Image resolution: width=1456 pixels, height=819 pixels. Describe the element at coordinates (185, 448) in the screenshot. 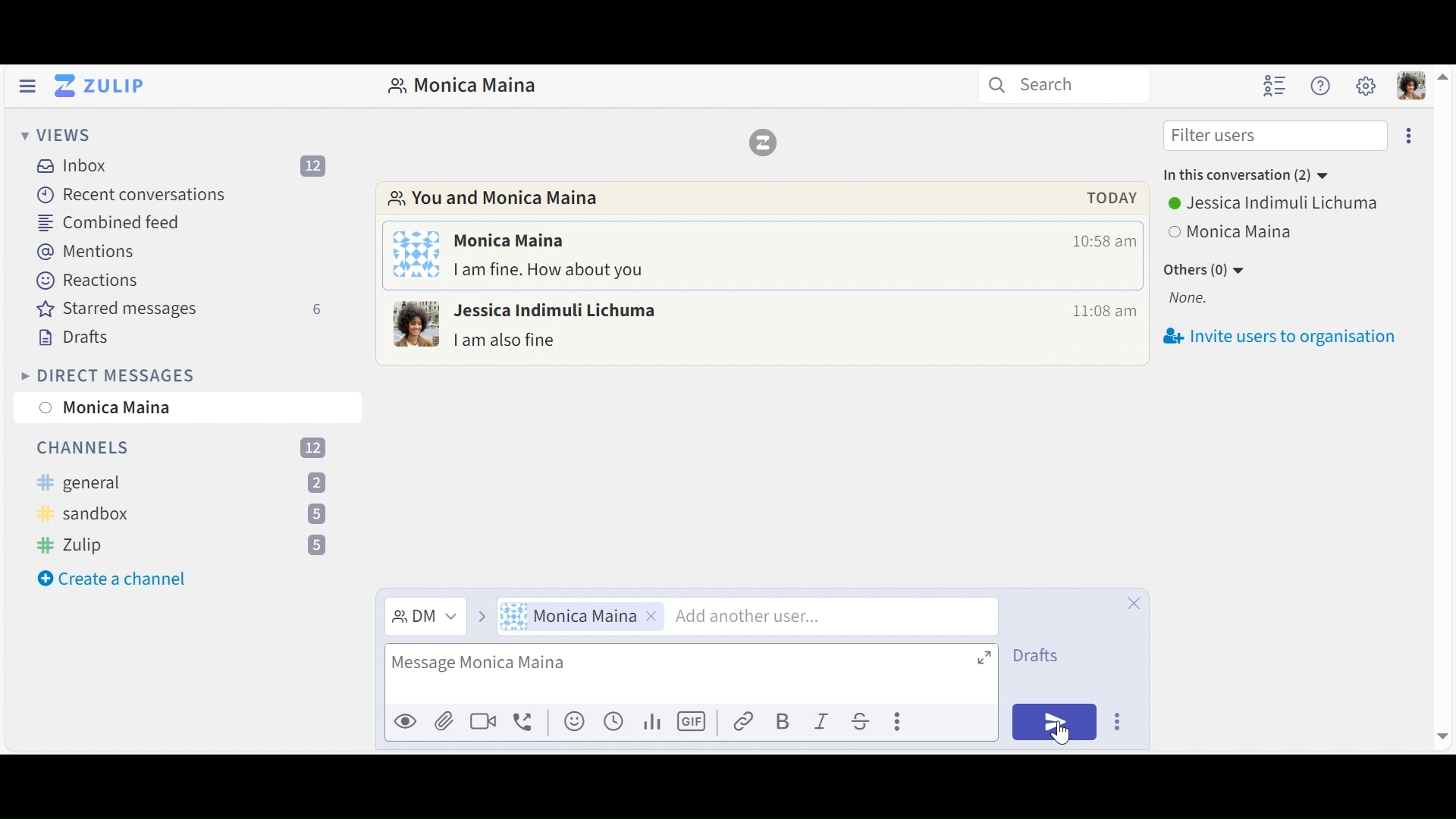

I see `Channels` at that location.